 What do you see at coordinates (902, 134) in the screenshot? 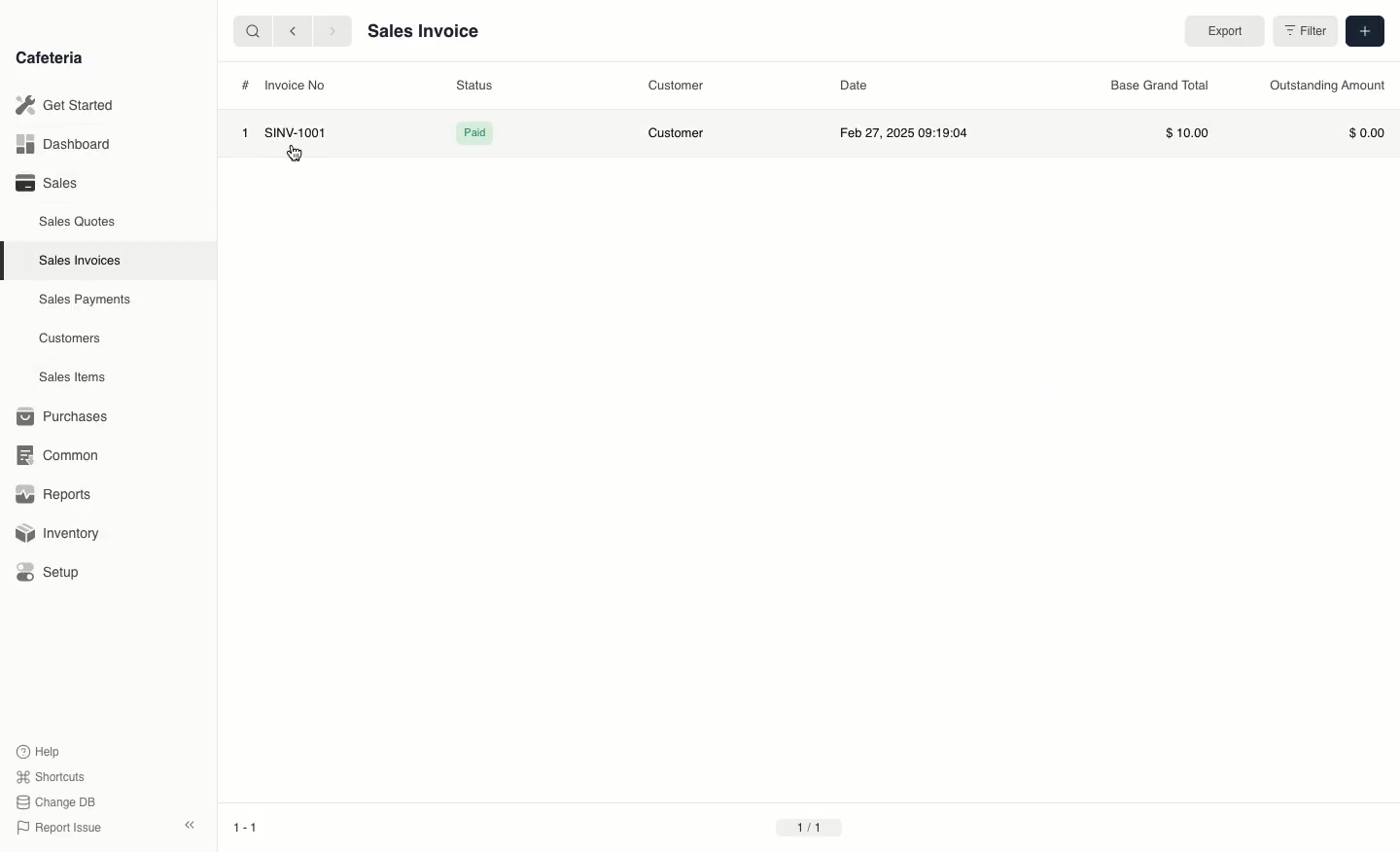
I see `Feb 27, 2025 09:19:04` at bounding box center [902, 134].